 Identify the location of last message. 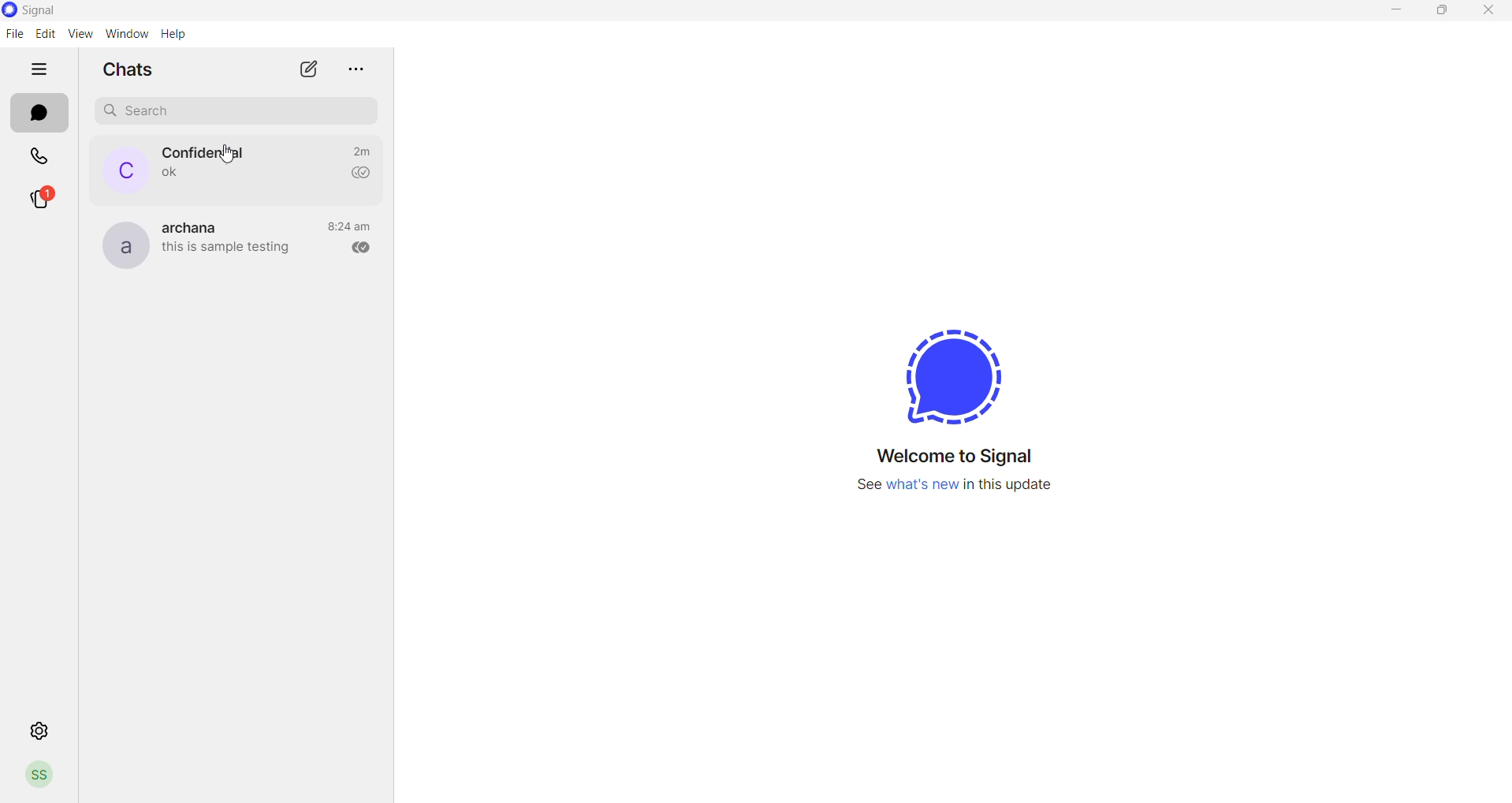
(163, 176).